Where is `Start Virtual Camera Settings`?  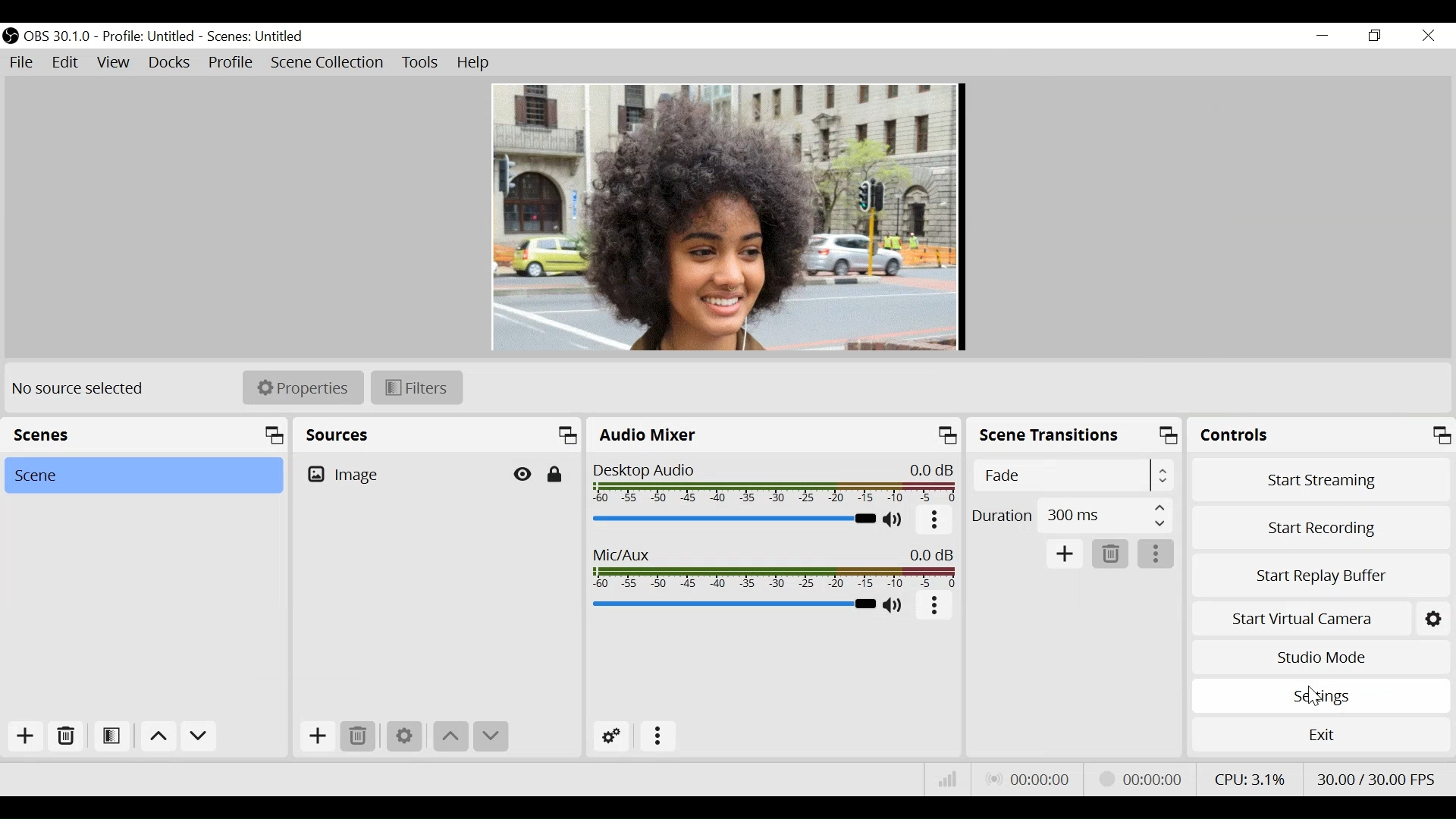 Start Virtual Camera Settings is located at coordinates (1436, 619).